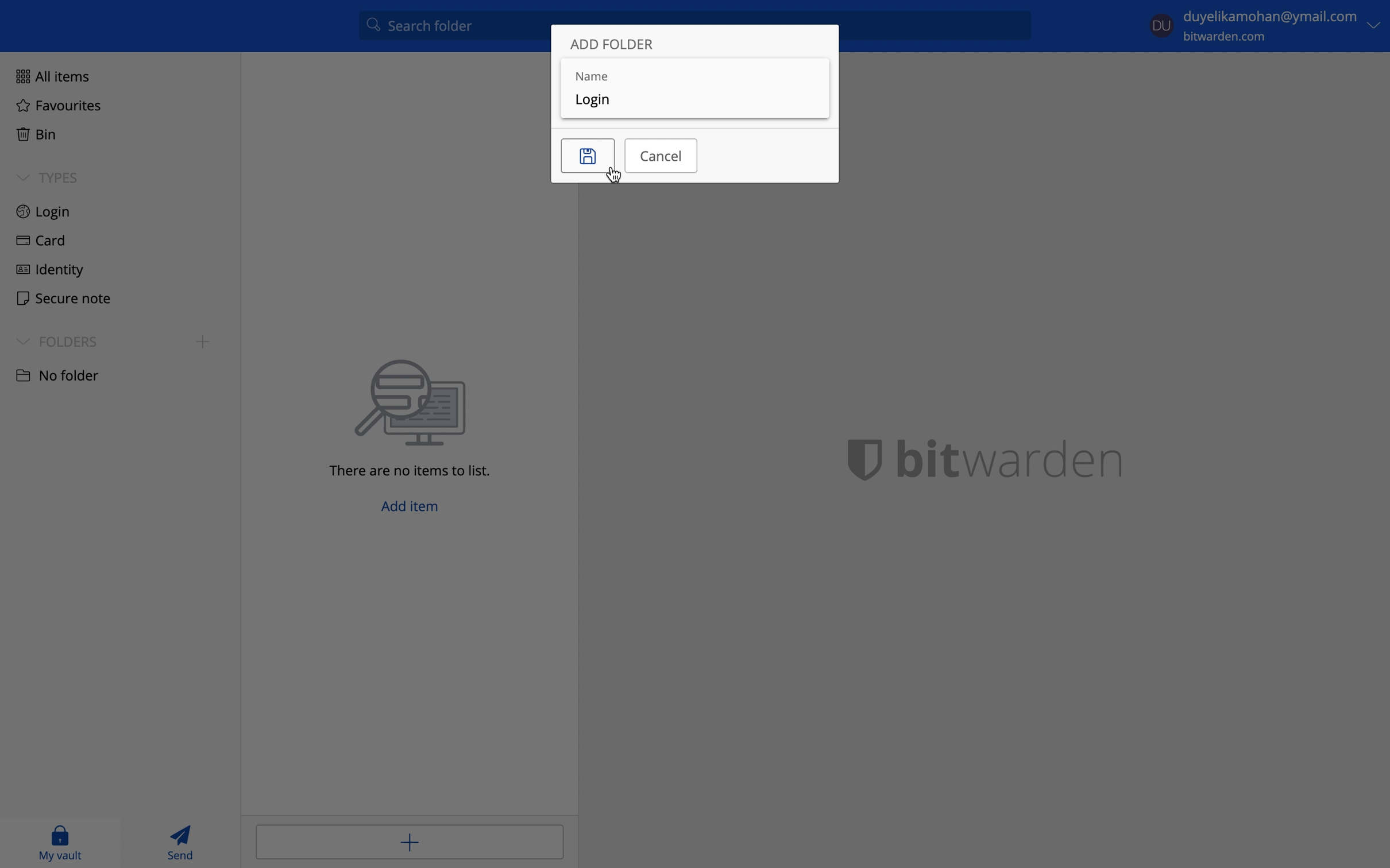 The image size is (1390, 868). Describe the element at coordinates (57, 341) in the screenshot. I see `folders` at that location.